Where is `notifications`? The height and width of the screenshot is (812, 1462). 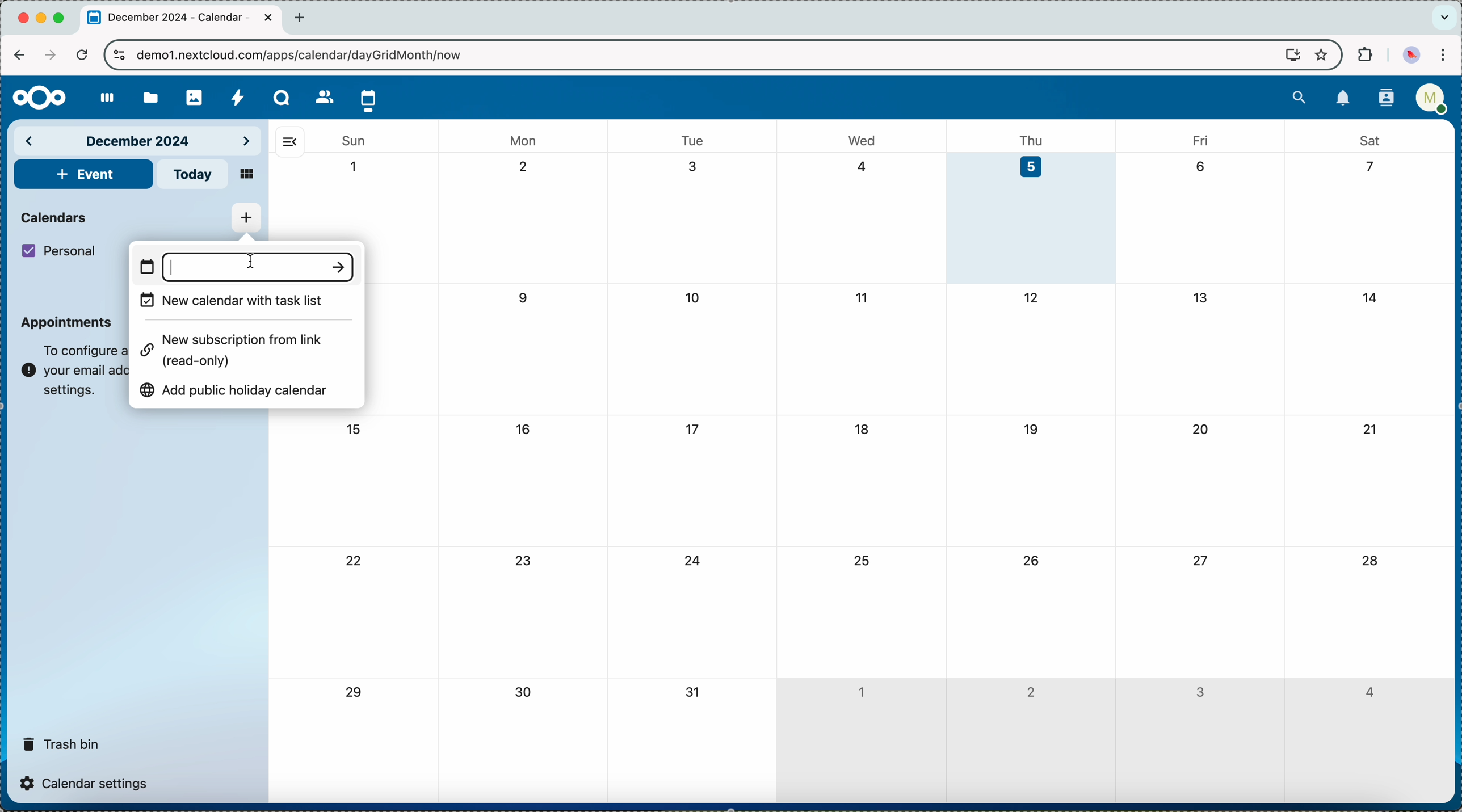 notifications is located at coordinates (1343, 99).